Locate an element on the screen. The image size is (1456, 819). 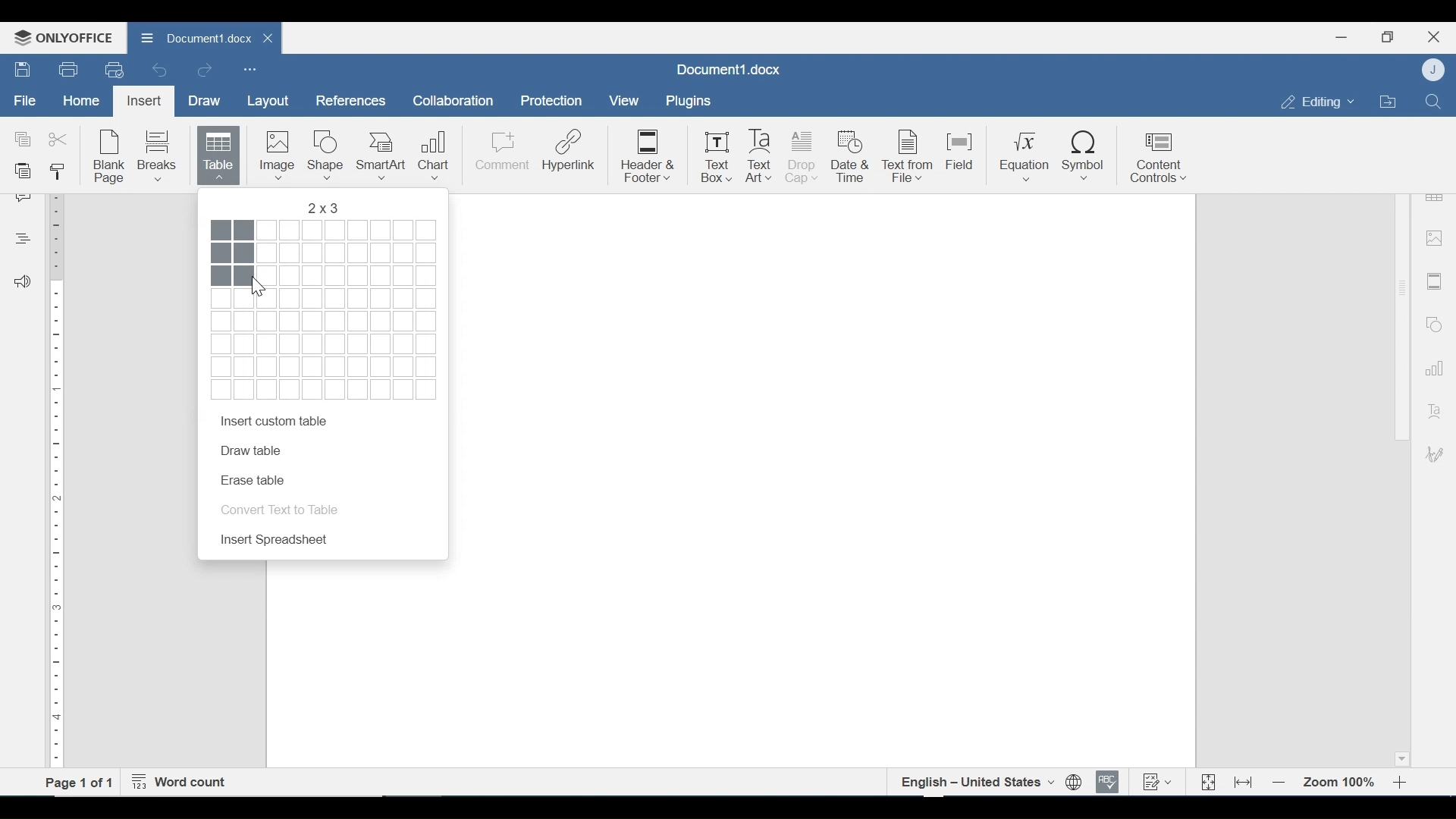
Table Settings is located at coordinates (1435, 196).